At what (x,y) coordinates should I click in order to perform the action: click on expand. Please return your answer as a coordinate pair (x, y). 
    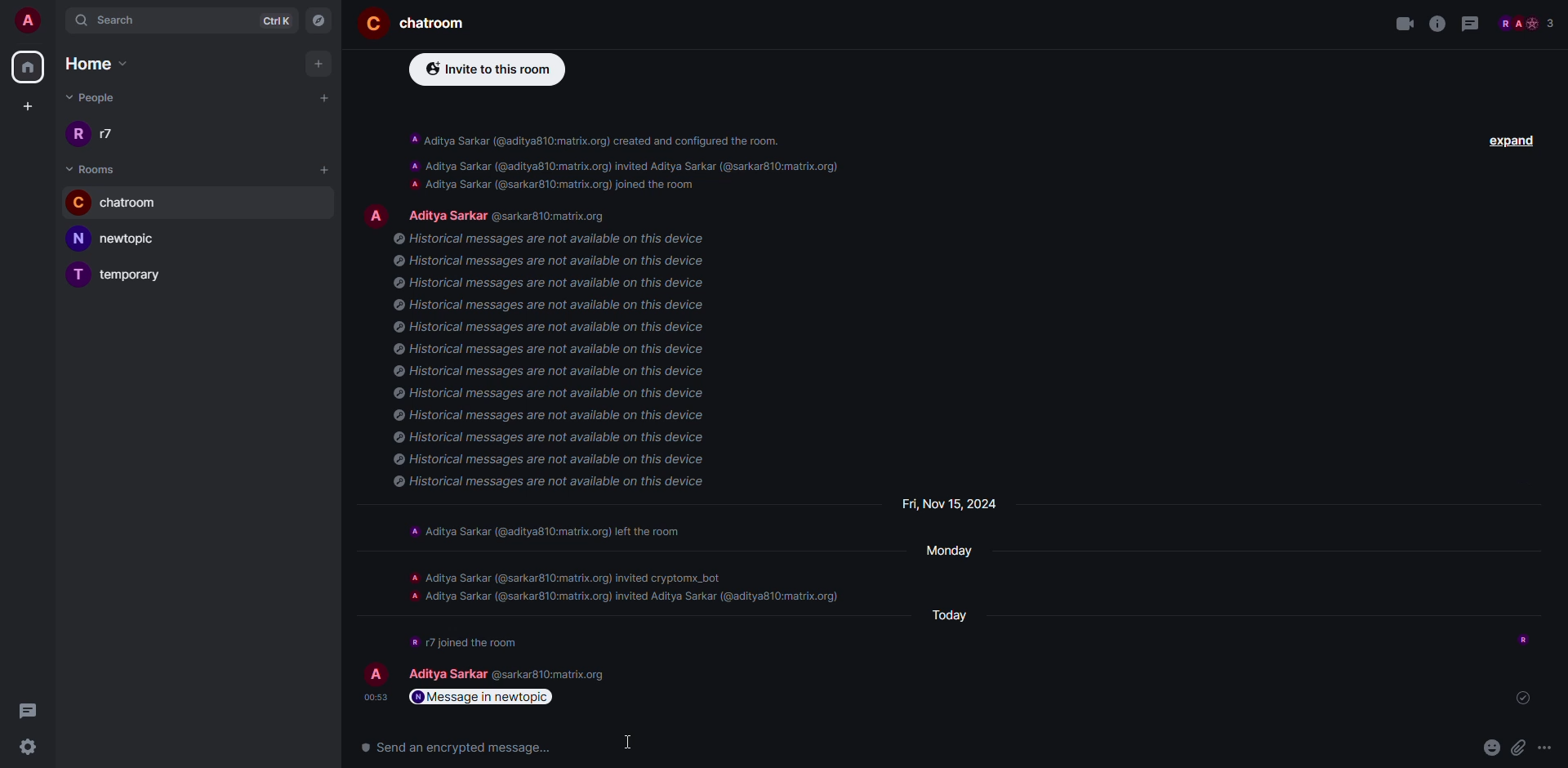
    Looking at the image, I should click on (1517, 141).